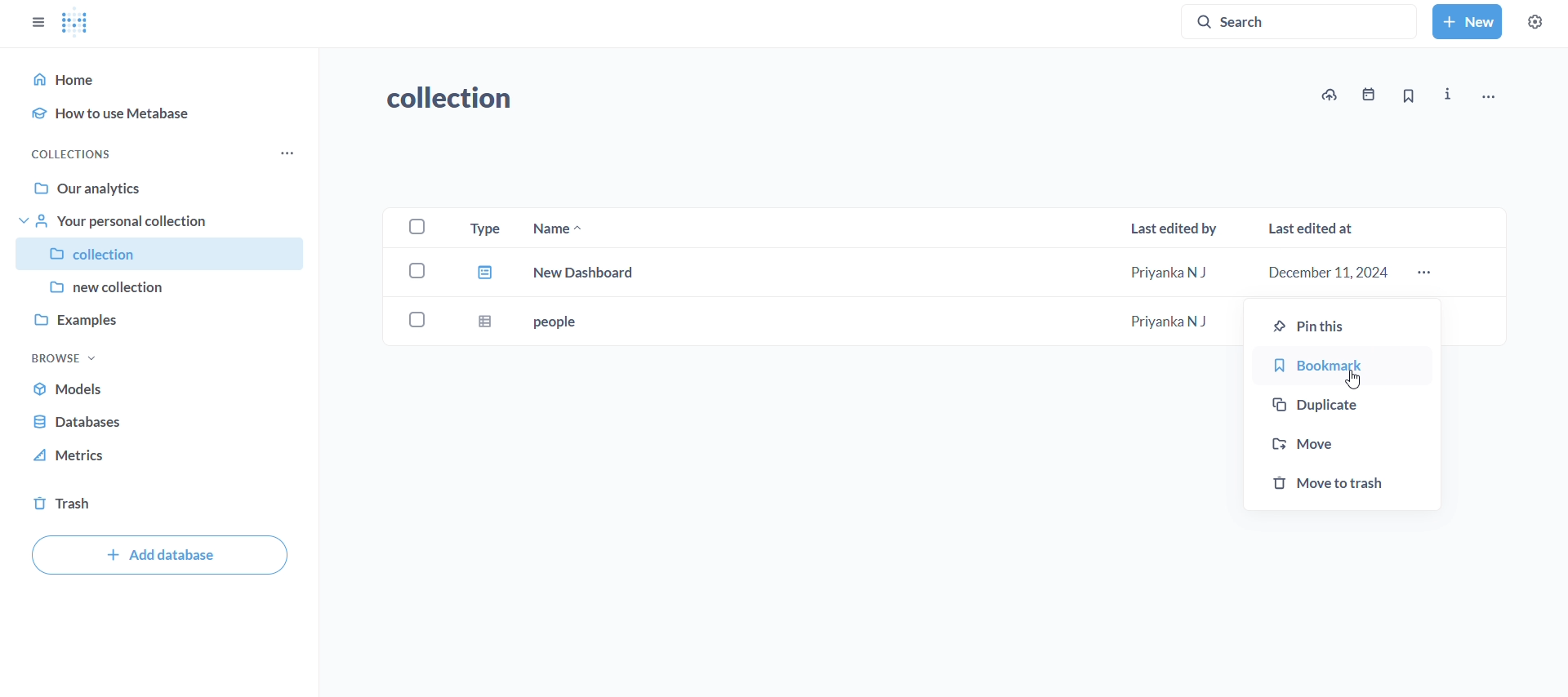  What do you see at coordinates (1534, 22) in the screenshot?
I see `settings` at bounding box center [1534, 22].